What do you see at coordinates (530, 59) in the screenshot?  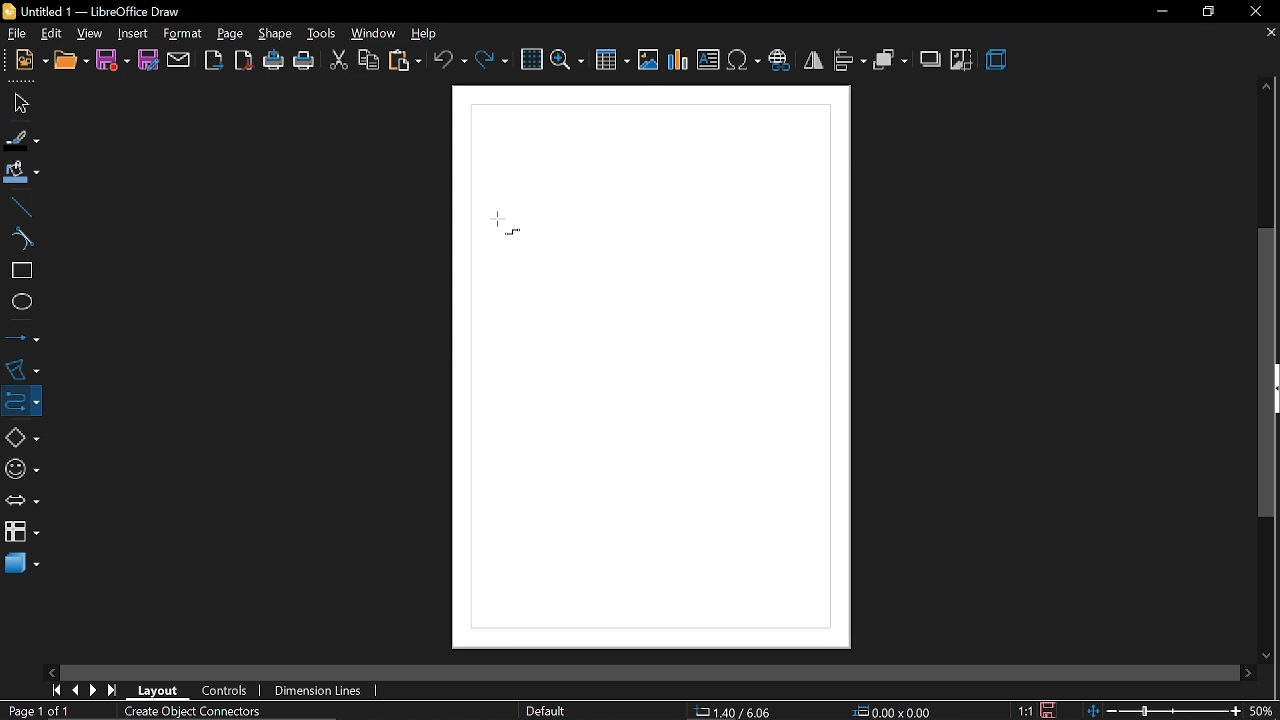 I see `grid` at bounding box center [530, 59].